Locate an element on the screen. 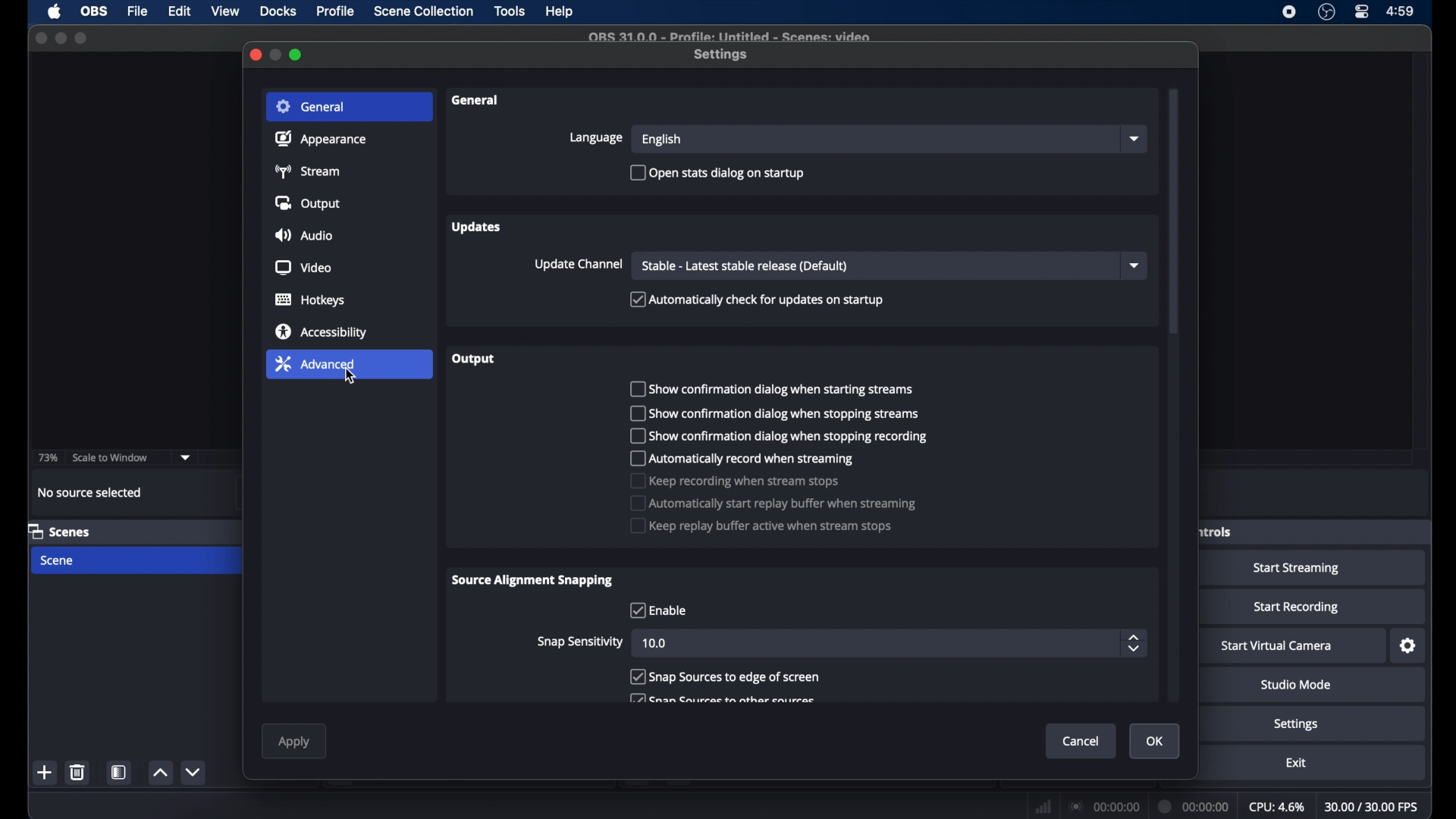 This screenshot has height=819, width=1456. exit is located at coordinates (1296, 763).